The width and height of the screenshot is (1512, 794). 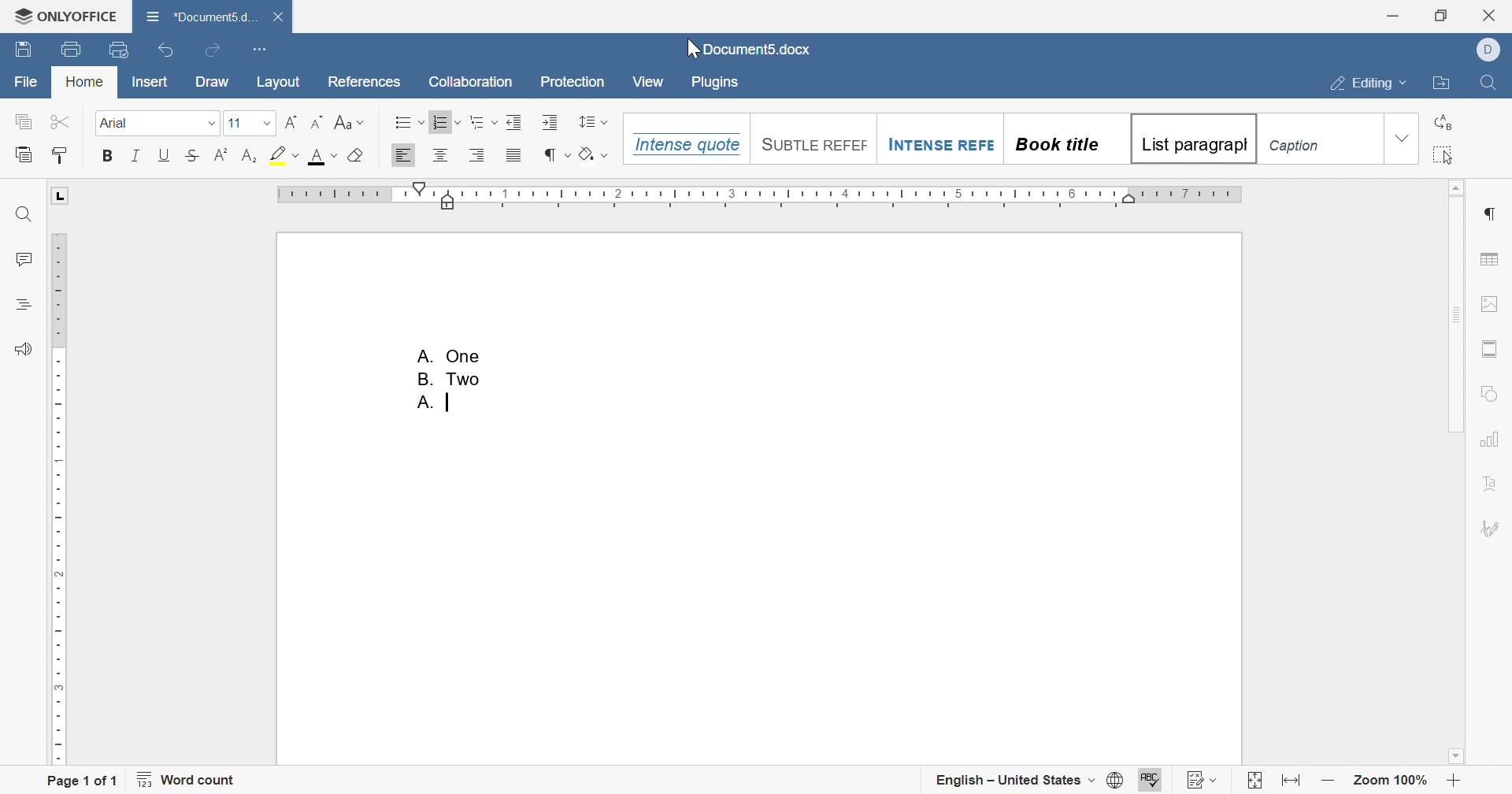 I want to click on replace, so click(x=1444, y=122).